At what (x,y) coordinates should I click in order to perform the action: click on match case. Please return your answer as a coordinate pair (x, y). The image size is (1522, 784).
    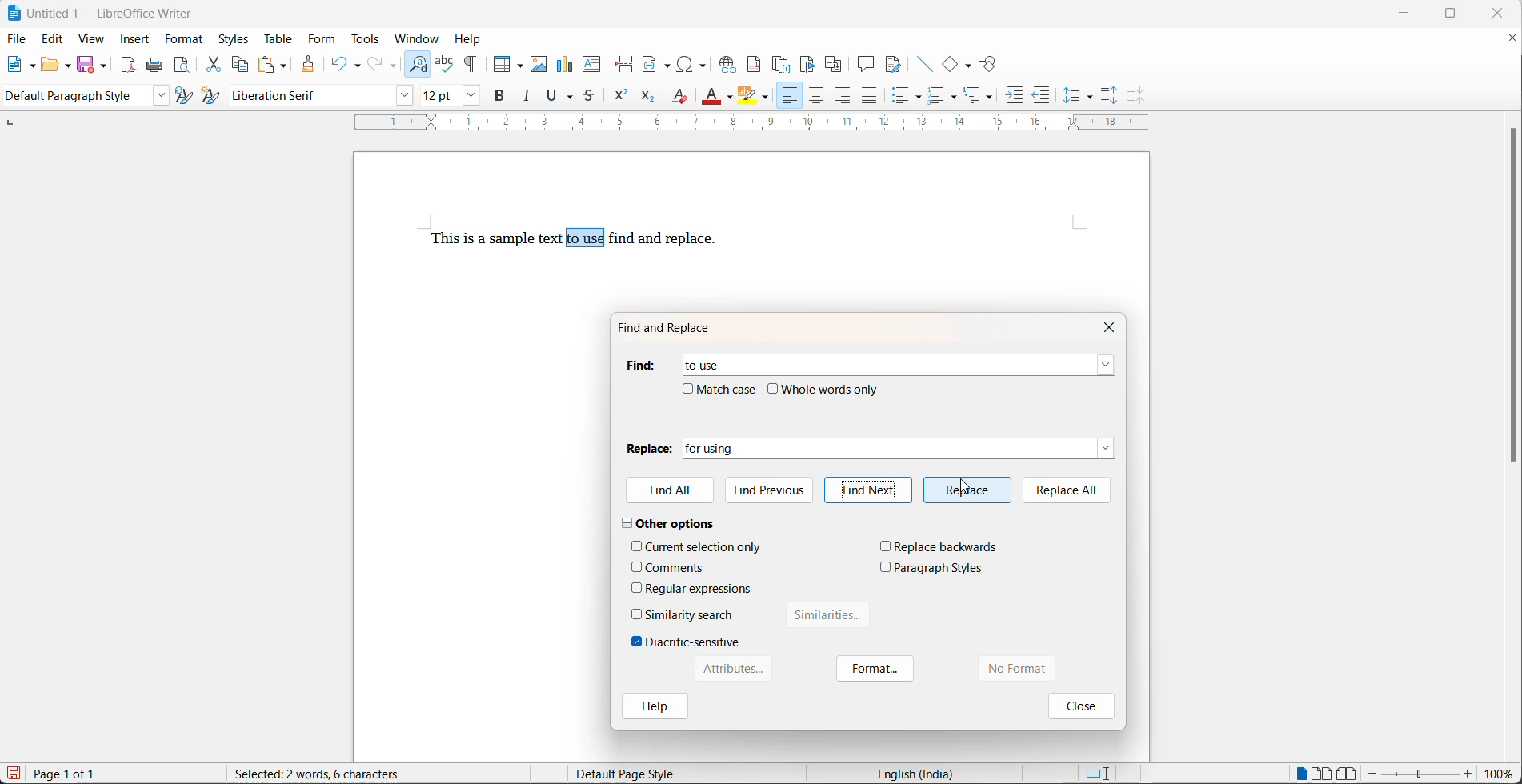
    Looking at the image, I should click on (728, 389).